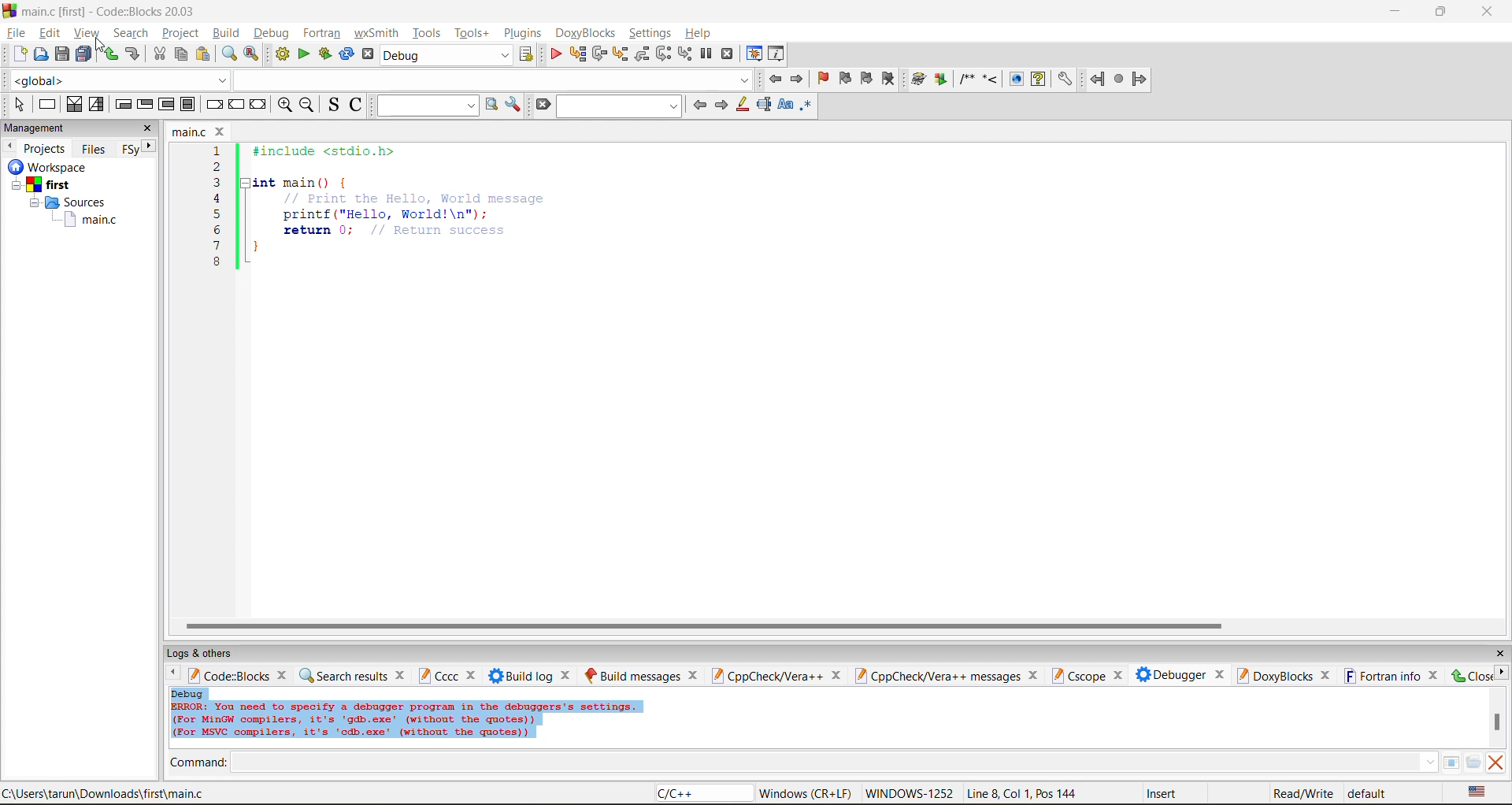 The width and height of the screenshot is (1512, 805). Describe the element at coordinates (270, 31) in the screenshot. I see `debug` at that location.